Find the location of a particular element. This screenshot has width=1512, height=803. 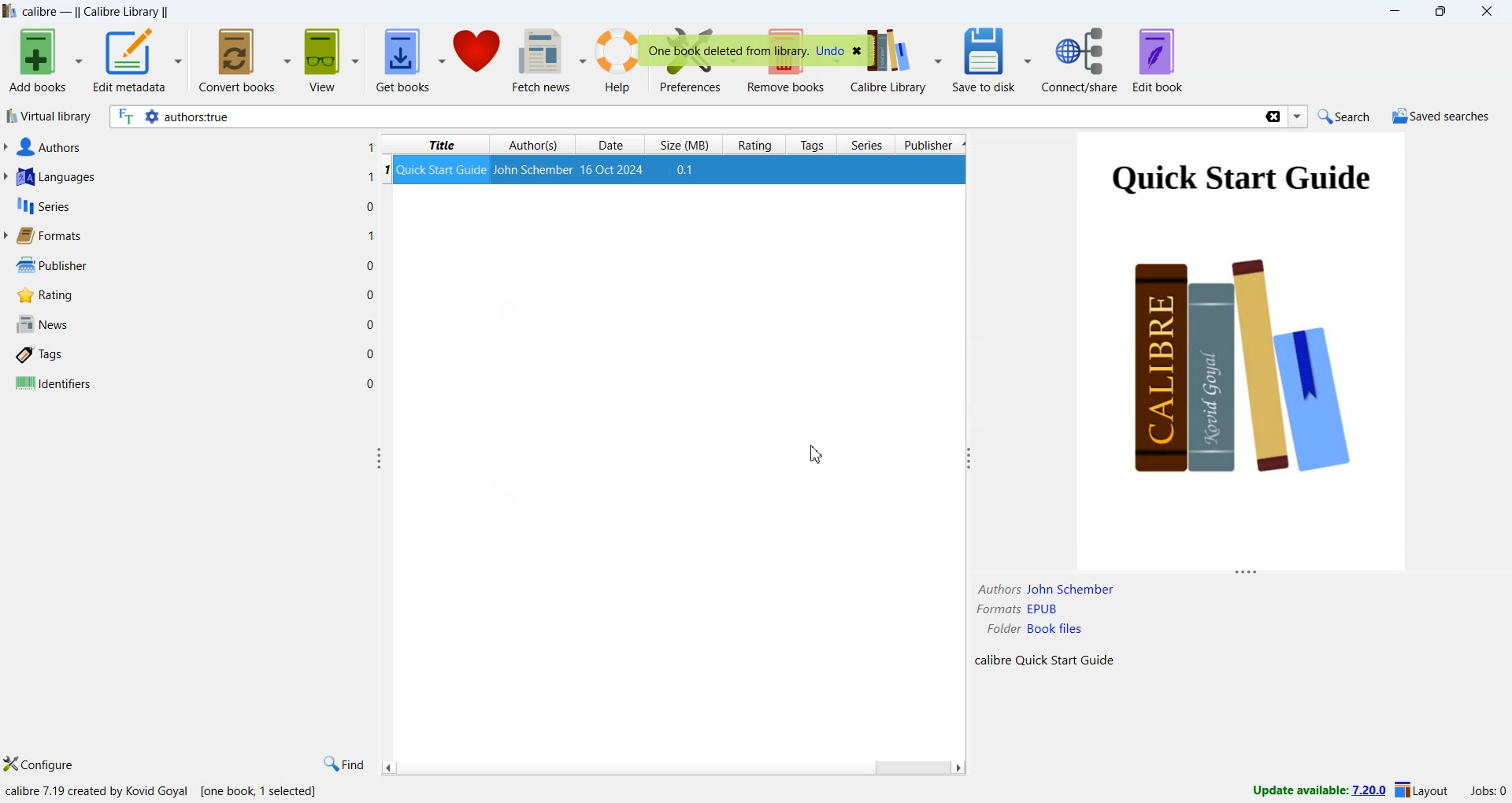

1 Quick Start Guide John Schember 16 Oct 2024 0.1 is located at coordinates (543, 172).